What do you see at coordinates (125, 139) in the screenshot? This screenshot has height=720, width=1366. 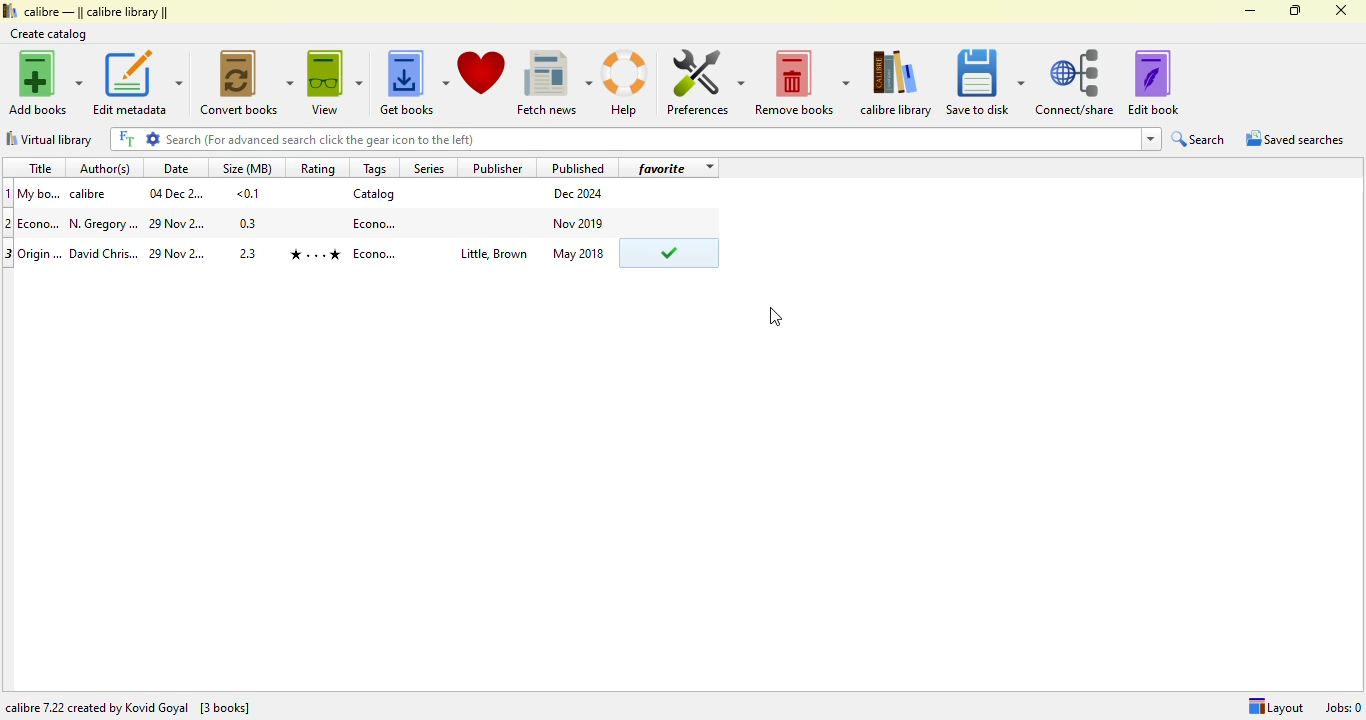 I see `FT` at bounding box center [125, 139].